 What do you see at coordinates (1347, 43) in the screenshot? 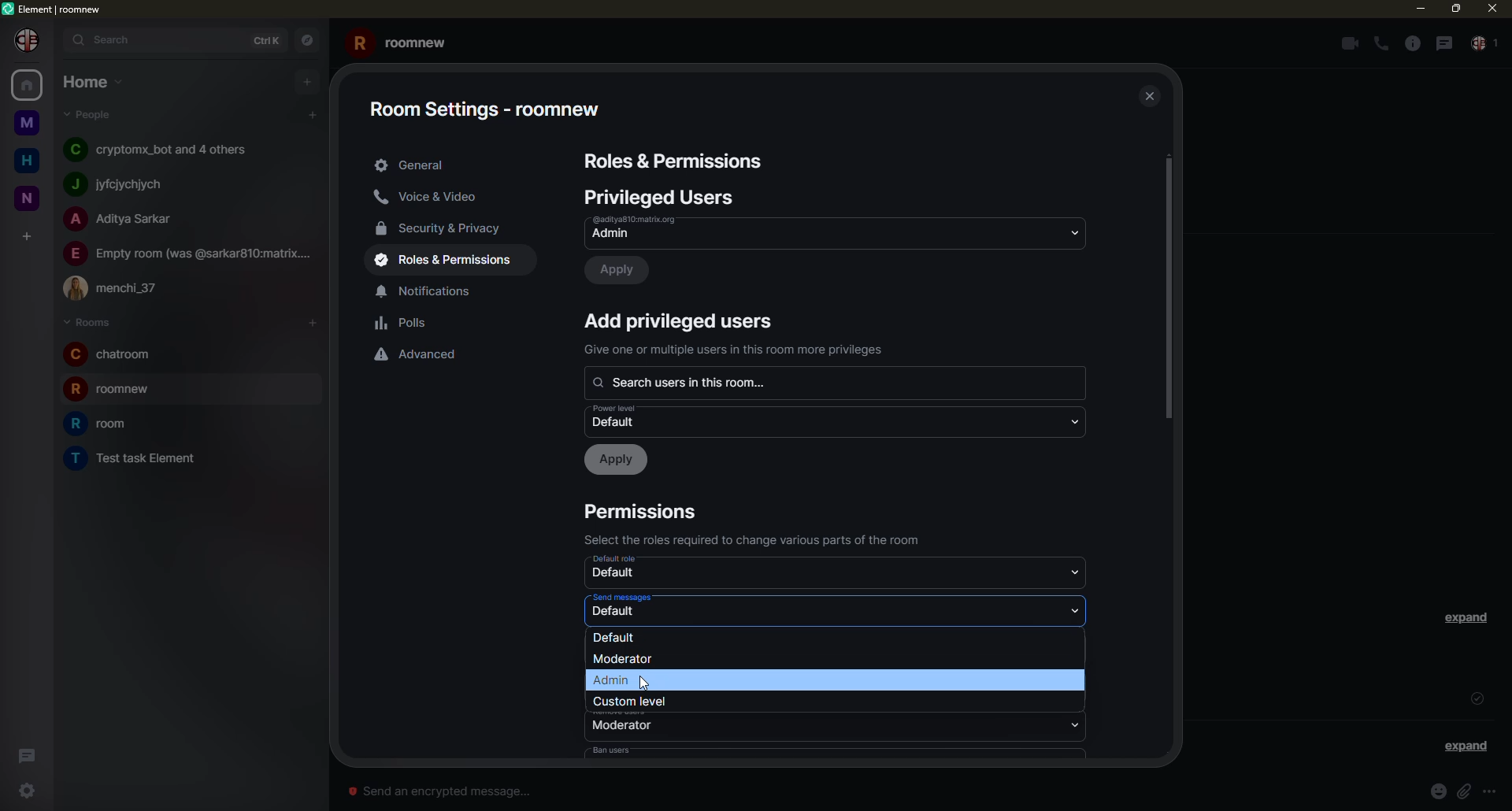
I see `video` at bounding box center [1347, 43].